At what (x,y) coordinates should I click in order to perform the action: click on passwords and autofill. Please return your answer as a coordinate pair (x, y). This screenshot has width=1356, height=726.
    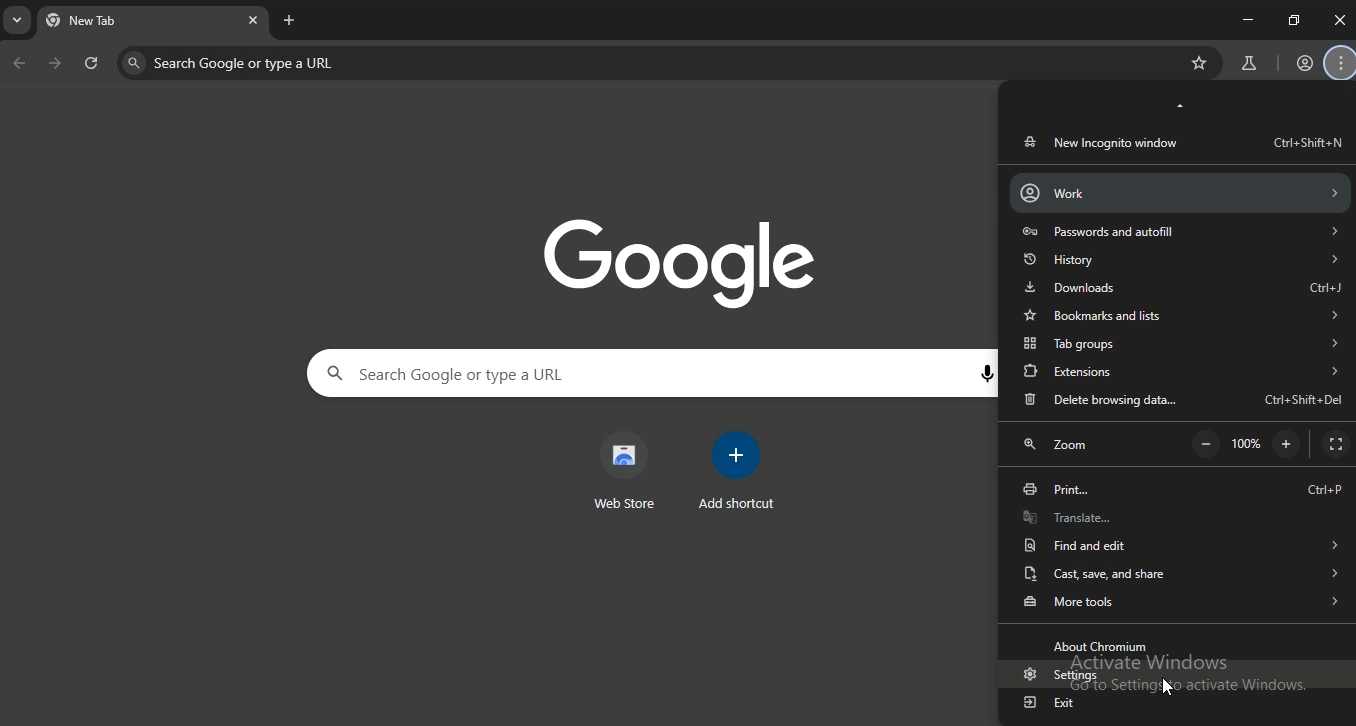
    Looking at the image, I should click on (1179, 231).